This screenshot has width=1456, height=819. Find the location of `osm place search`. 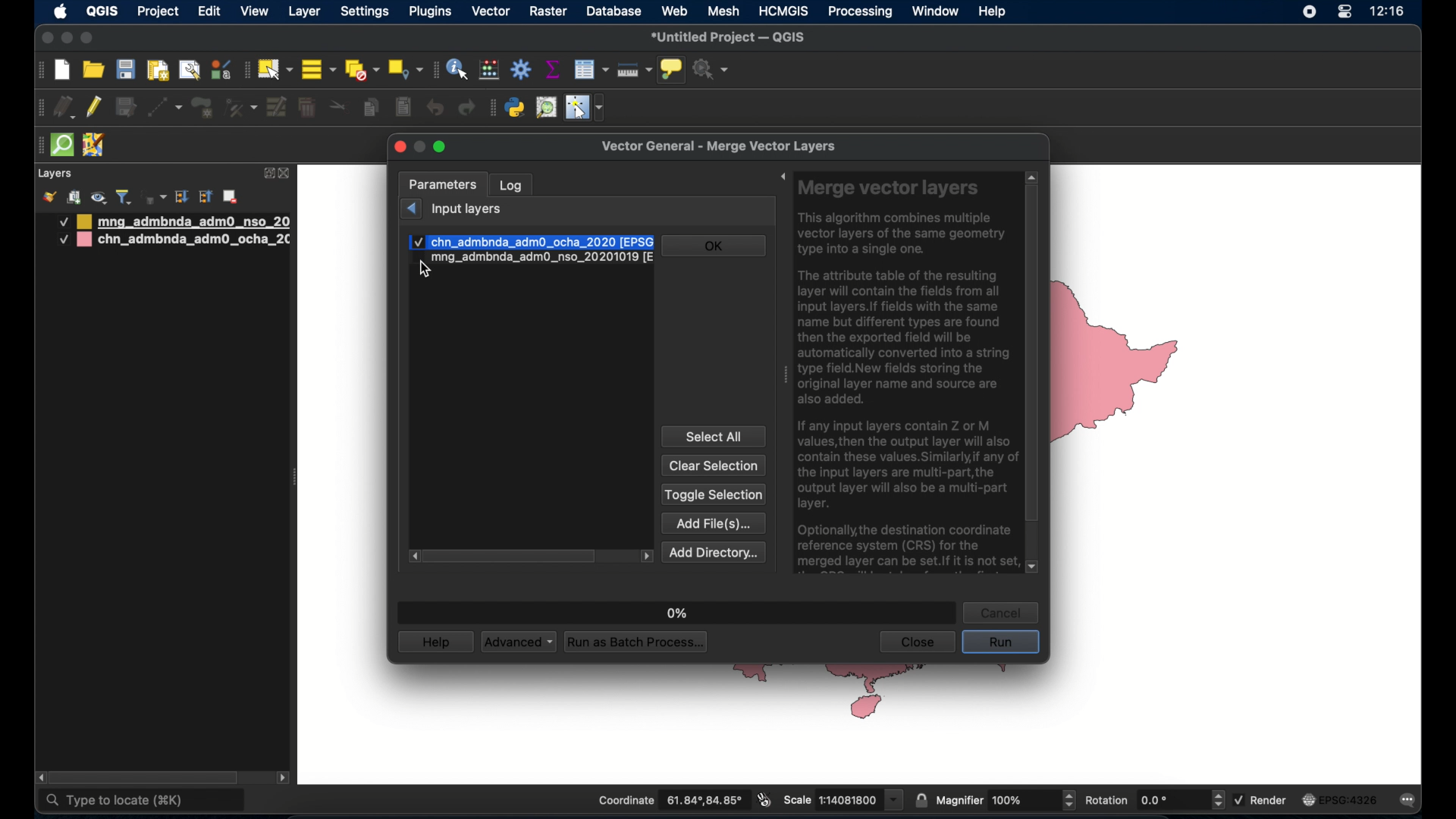

osm place search is located at coordinates (546, 108).